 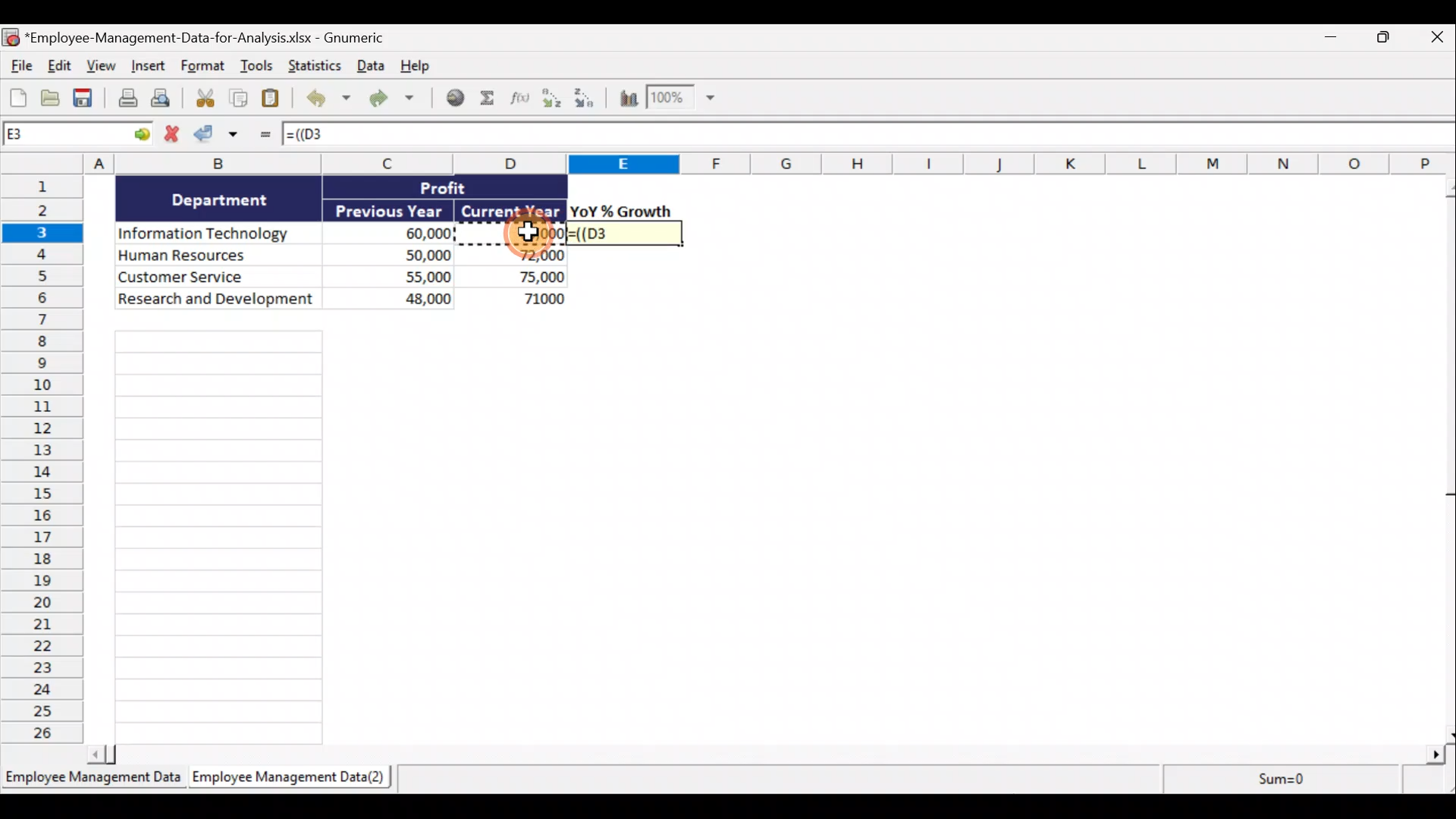 What do you see at coordinates (325, 99) in the screenshot?
I see `Undo last action` at bounding box center [325, 99].